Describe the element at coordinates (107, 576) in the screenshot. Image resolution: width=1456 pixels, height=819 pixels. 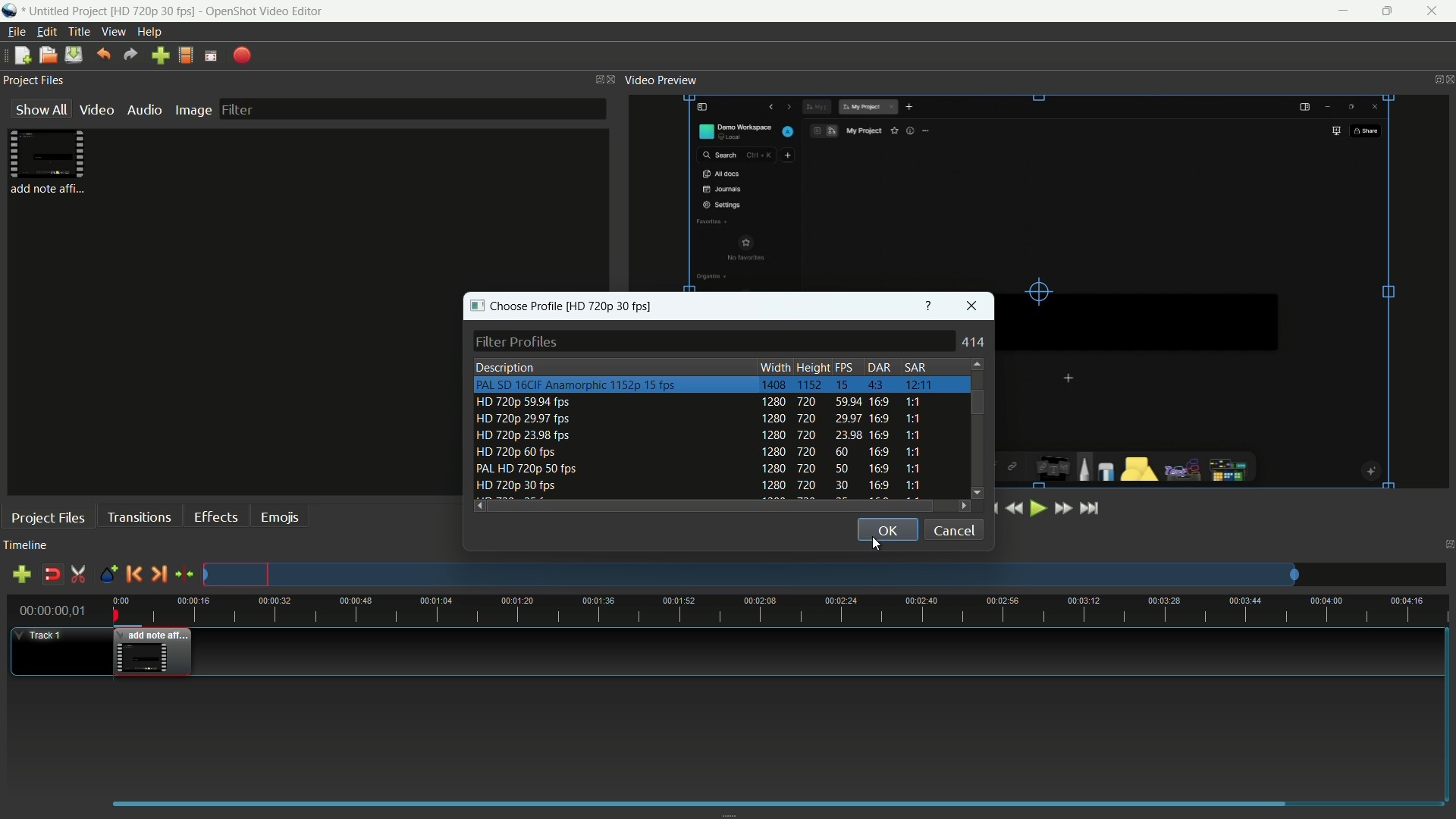
I see `create marker` at that location.